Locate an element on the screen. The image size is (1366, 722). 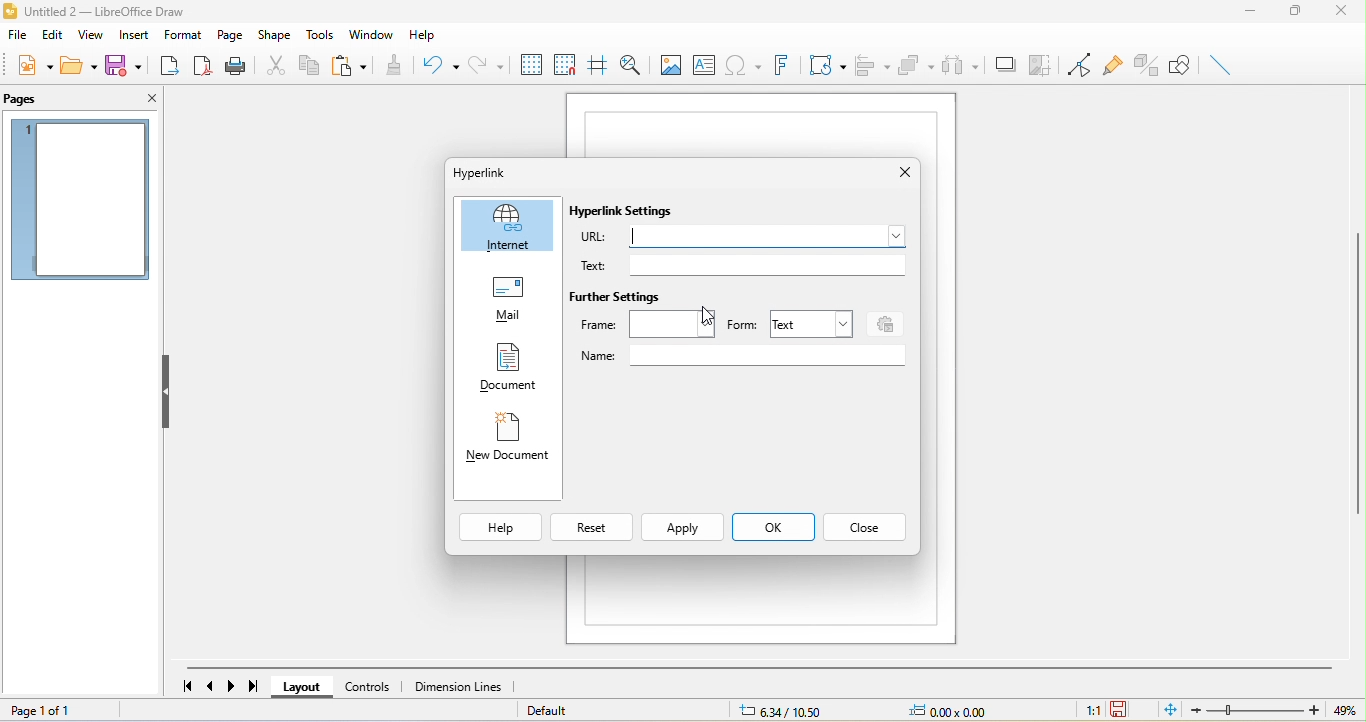
copy is located at coordinates (304, 65).